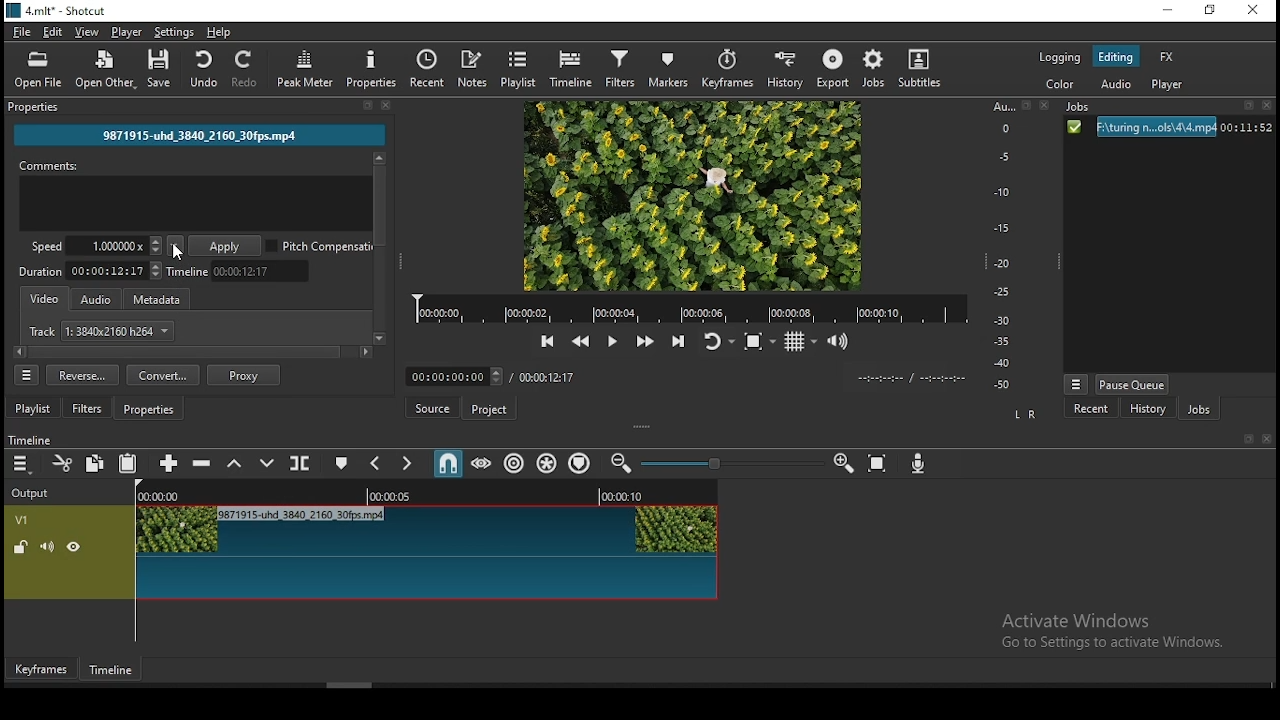 Image resolution: width=1280 pixels, height=720 pixels. What do you see at coordinates (112, 670) in the screenshot?
I see `timeline` at bounding box center [112, 670].